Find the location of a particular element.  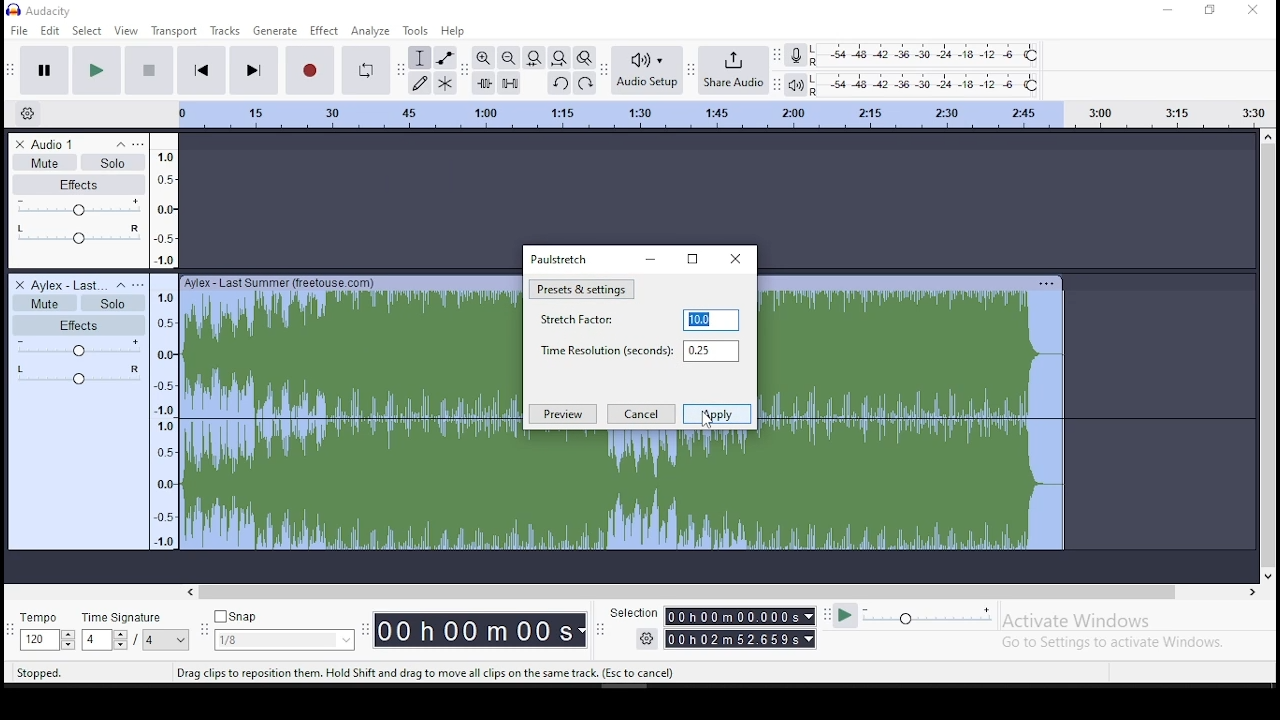

fit selection to width is located at coordinates (534, 58).